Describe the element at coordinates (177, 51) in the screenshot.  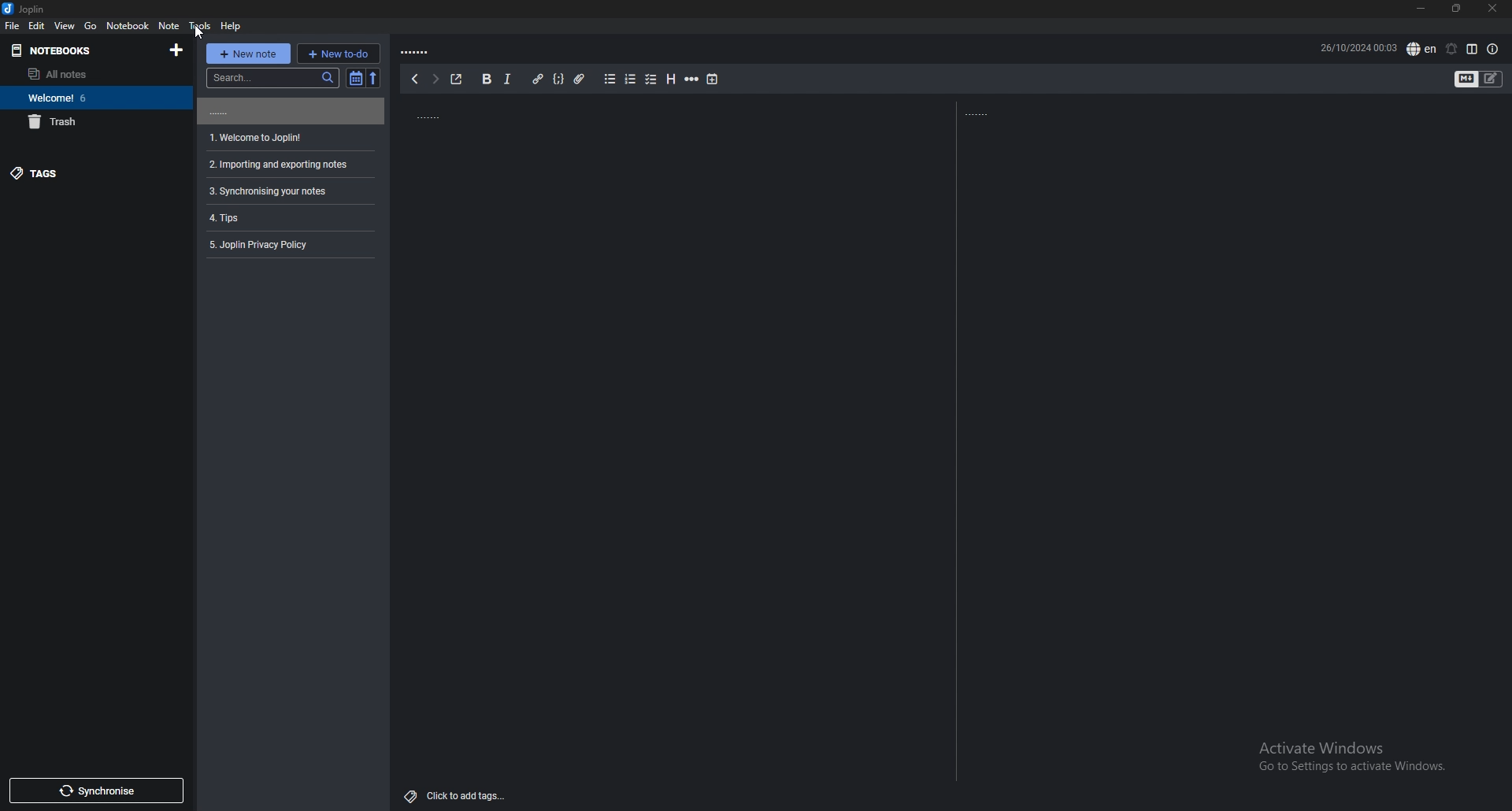
I see `add notebooks` at that location.